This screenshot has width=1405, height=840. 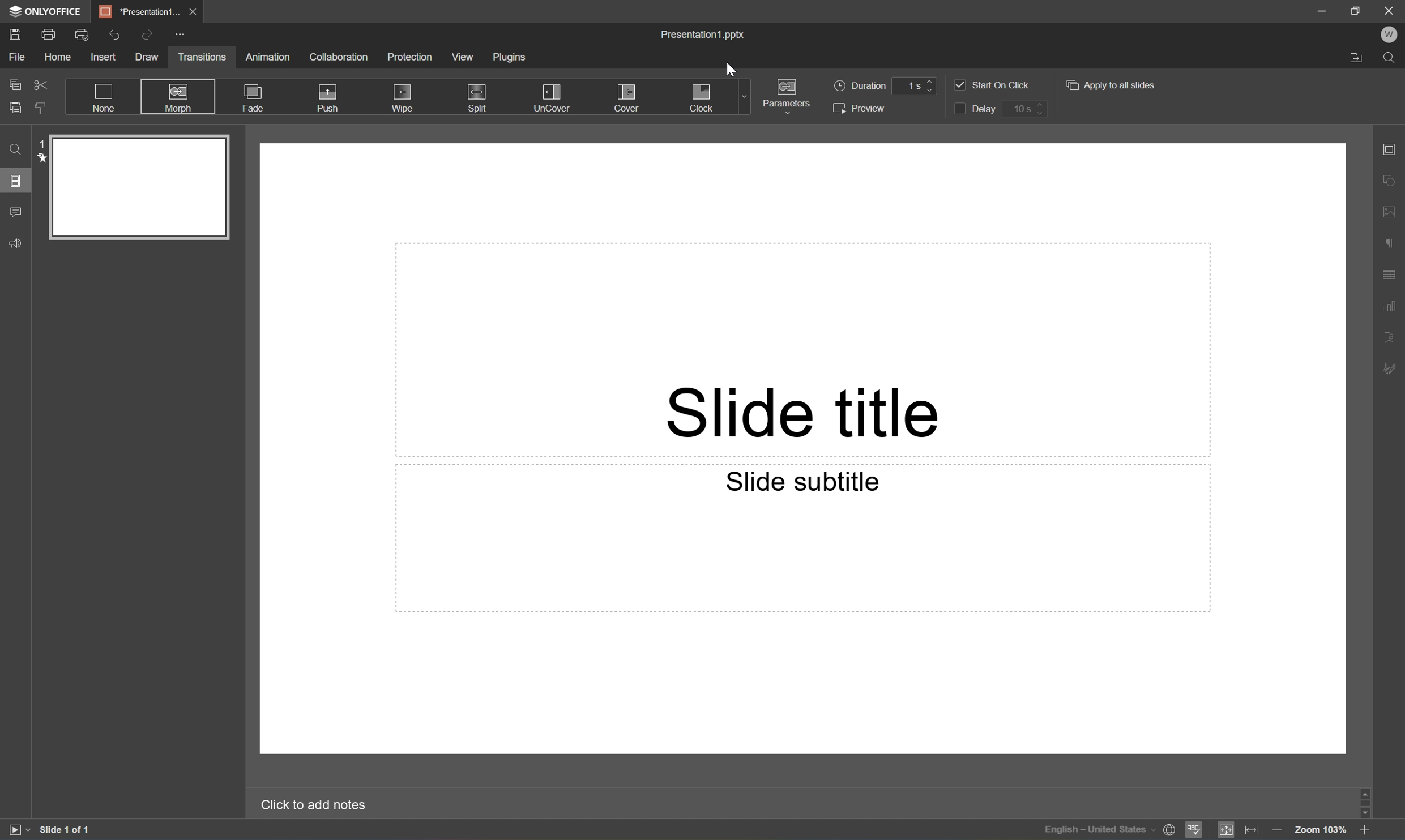 What do you see at coordinates (1393, 368) in the screenshot?
I see `Signature settings` at bounding box center [1393, 368].